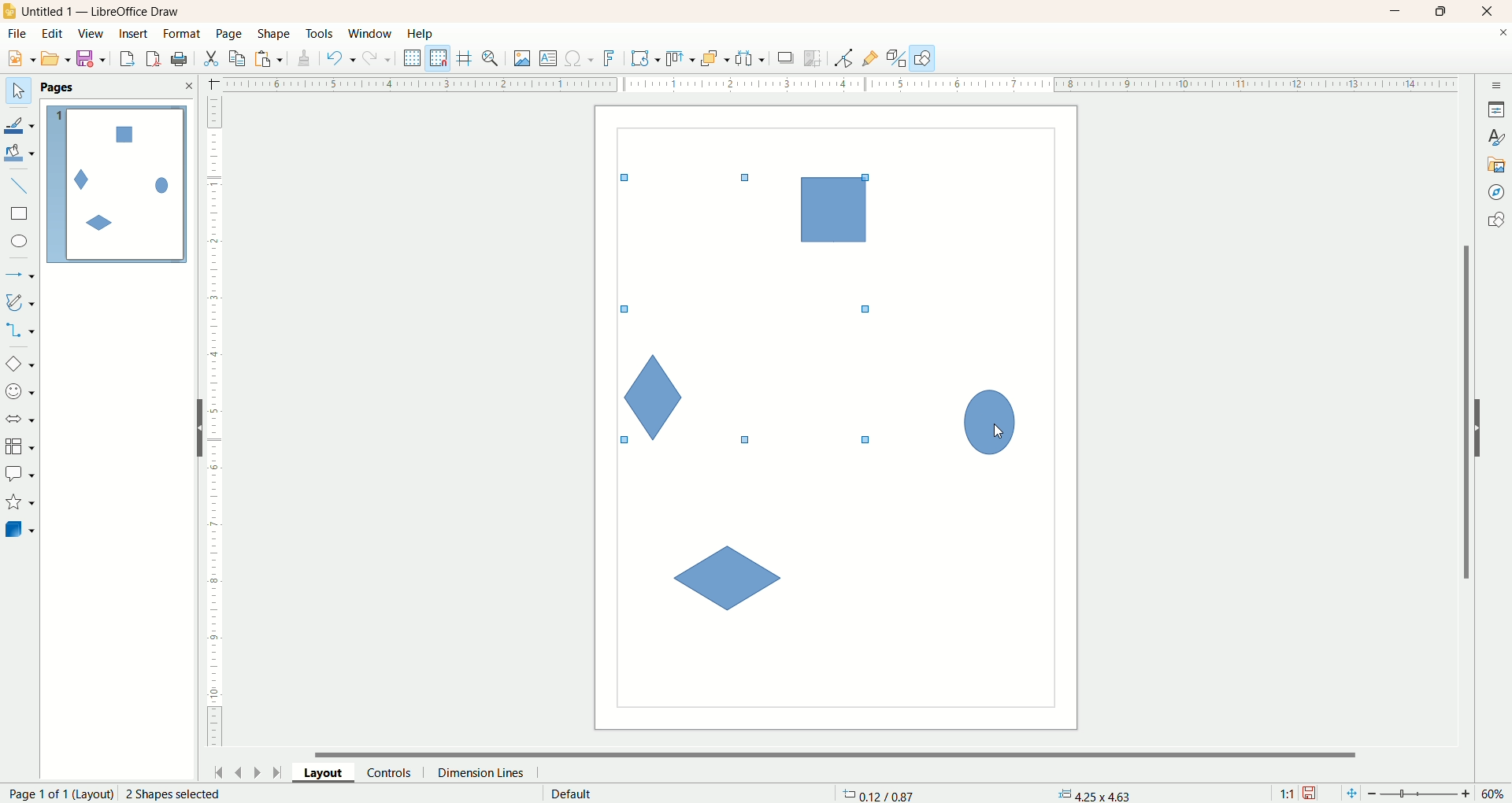  I want to click on block arrow, so click(23, 420).